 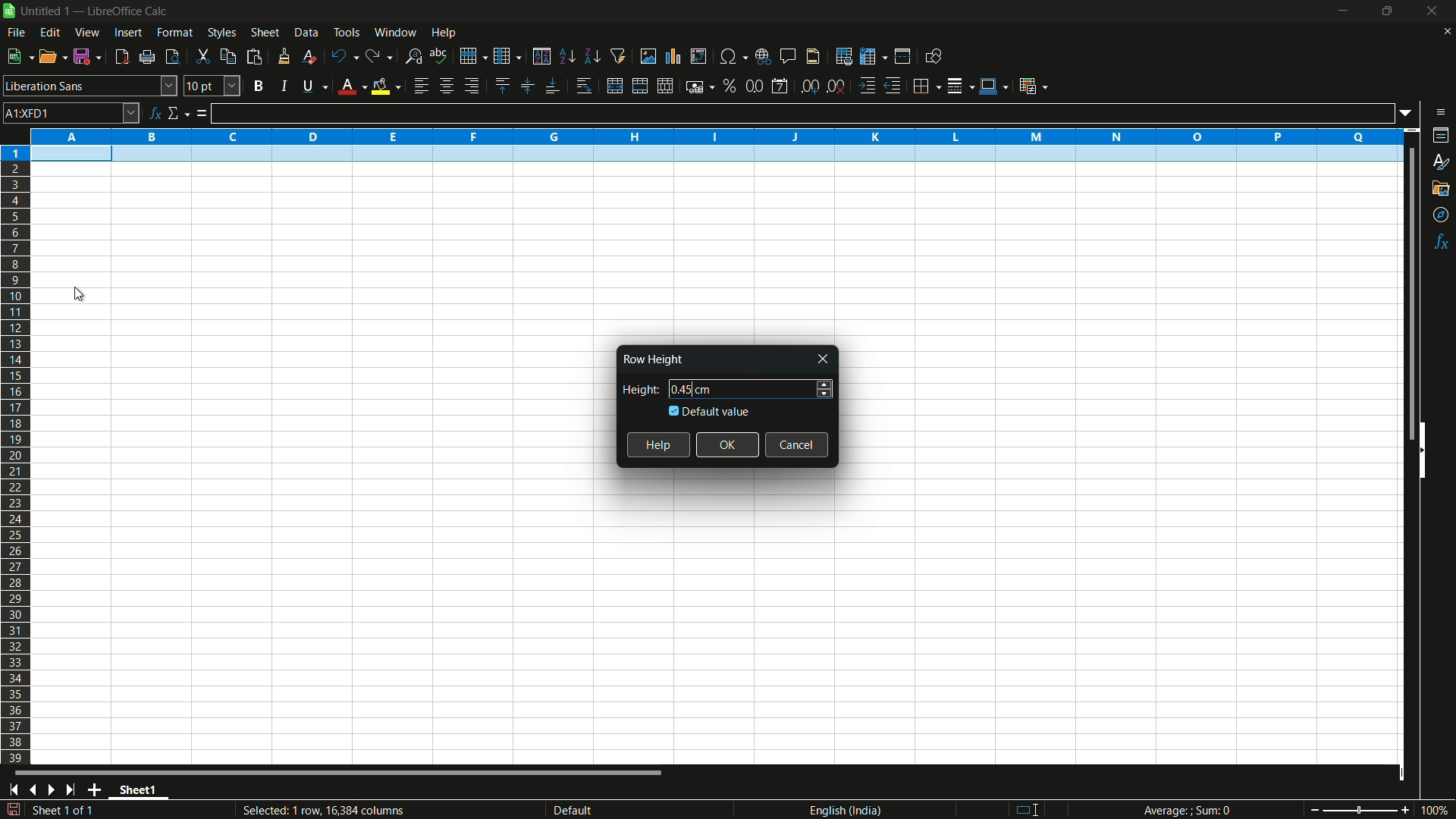 What do you see at coordinates (143, 792) in the screenshot?
I see `sheet name` at bounding box center [143, 792].